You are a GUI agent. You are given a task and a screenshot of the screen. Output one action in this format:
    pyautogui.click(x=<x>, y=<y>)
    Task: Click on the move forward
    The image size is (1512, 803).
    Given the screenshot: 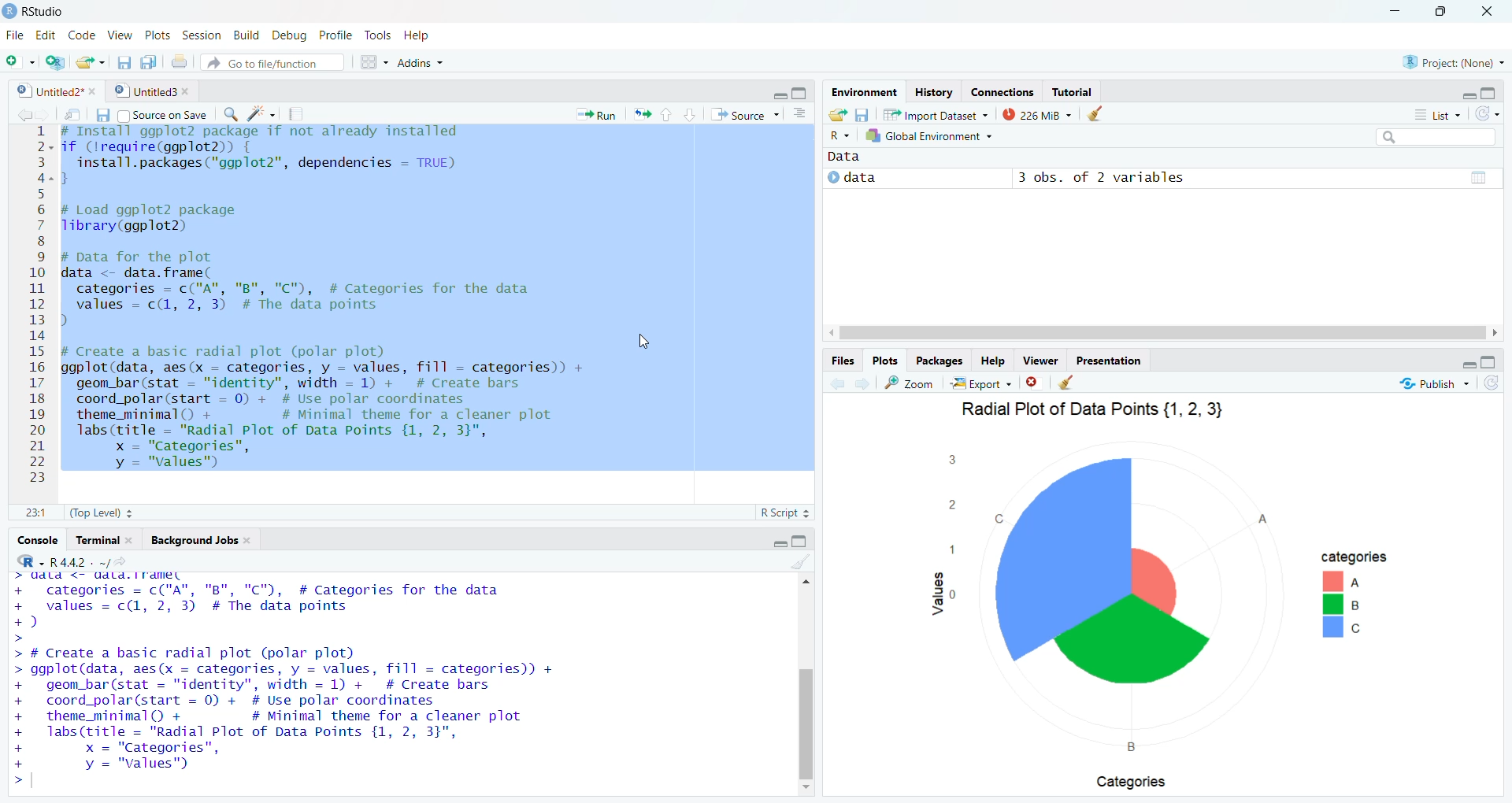 What is the action you would take?
    pyautogui.click(x=864, y=384)
    